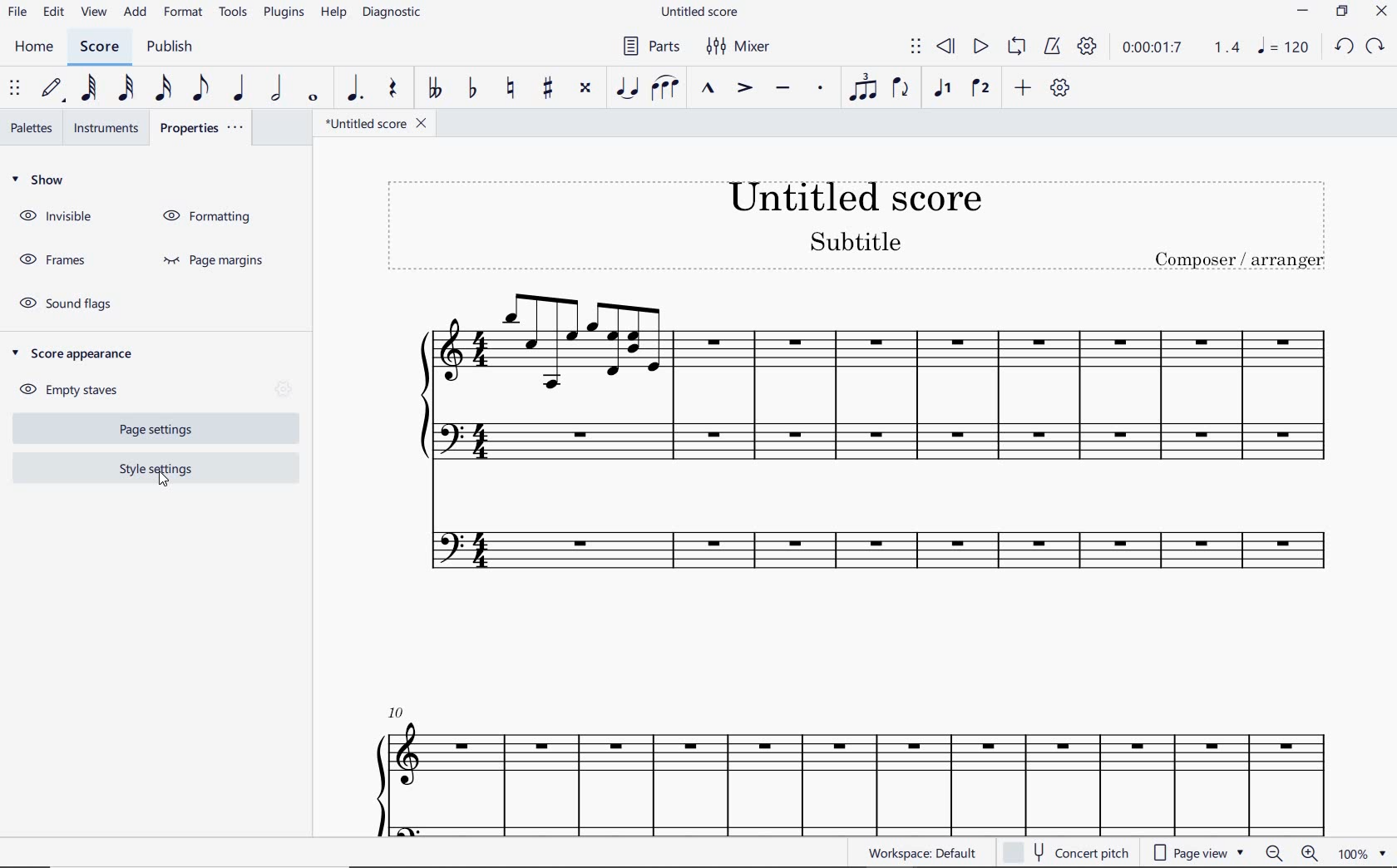  I want to click on FILE NAME, so click(697, 12).